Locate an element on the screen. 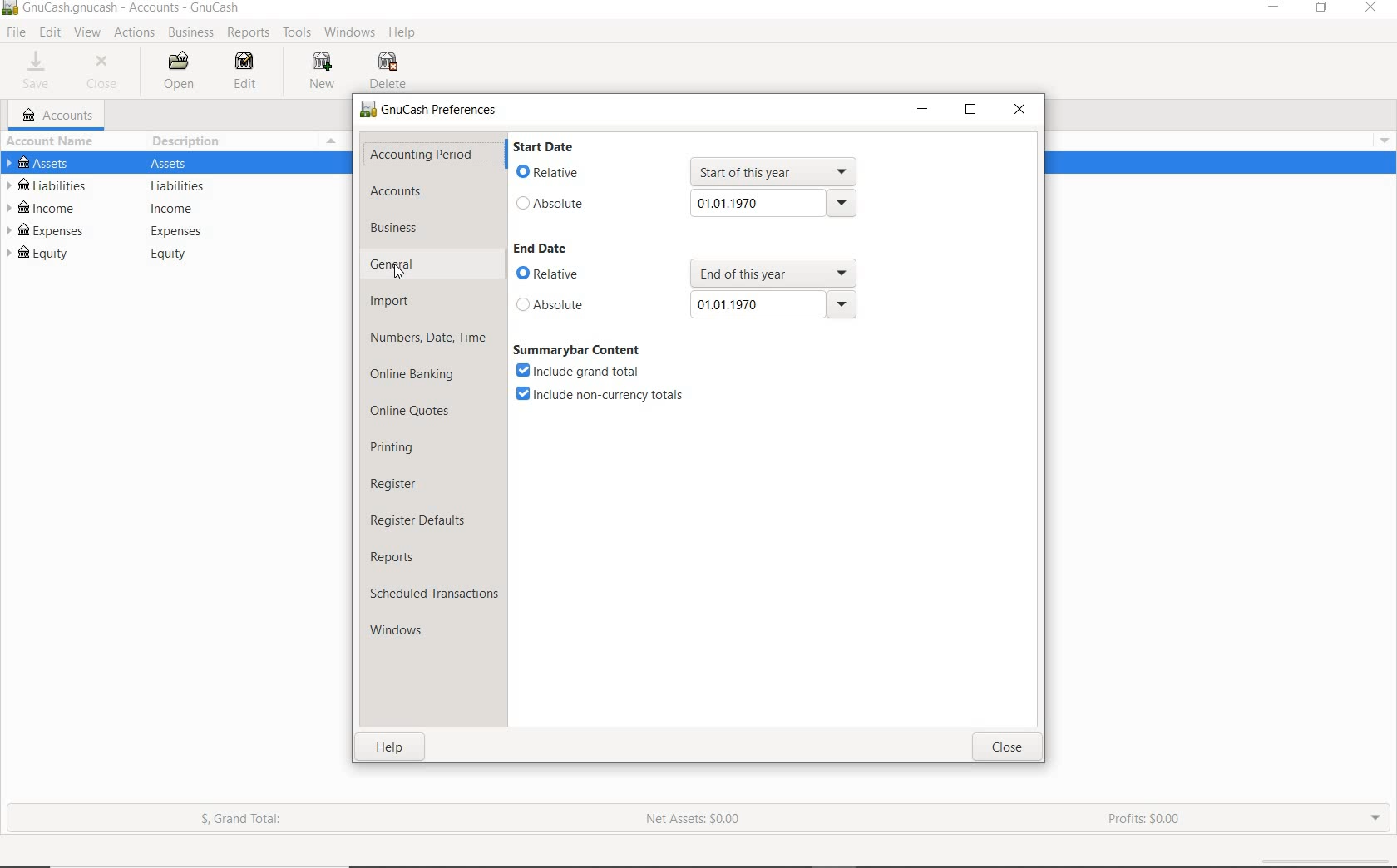 The image size is (1397, 868). CLOSE is located at coordinates (1019, 747).